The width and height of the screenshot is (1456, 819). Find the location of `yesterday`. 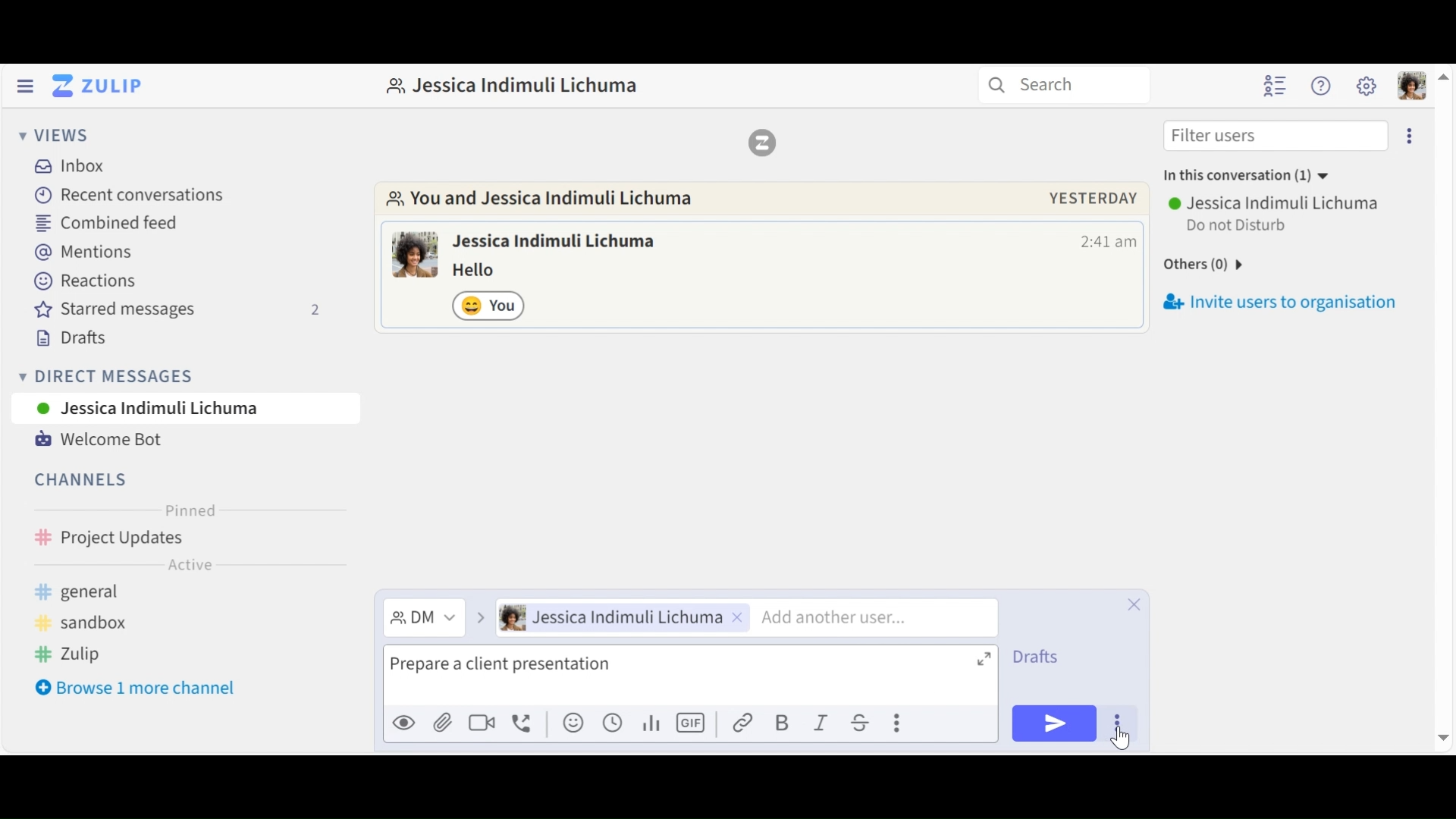

yesterday is located at coordinates (1093, 198).